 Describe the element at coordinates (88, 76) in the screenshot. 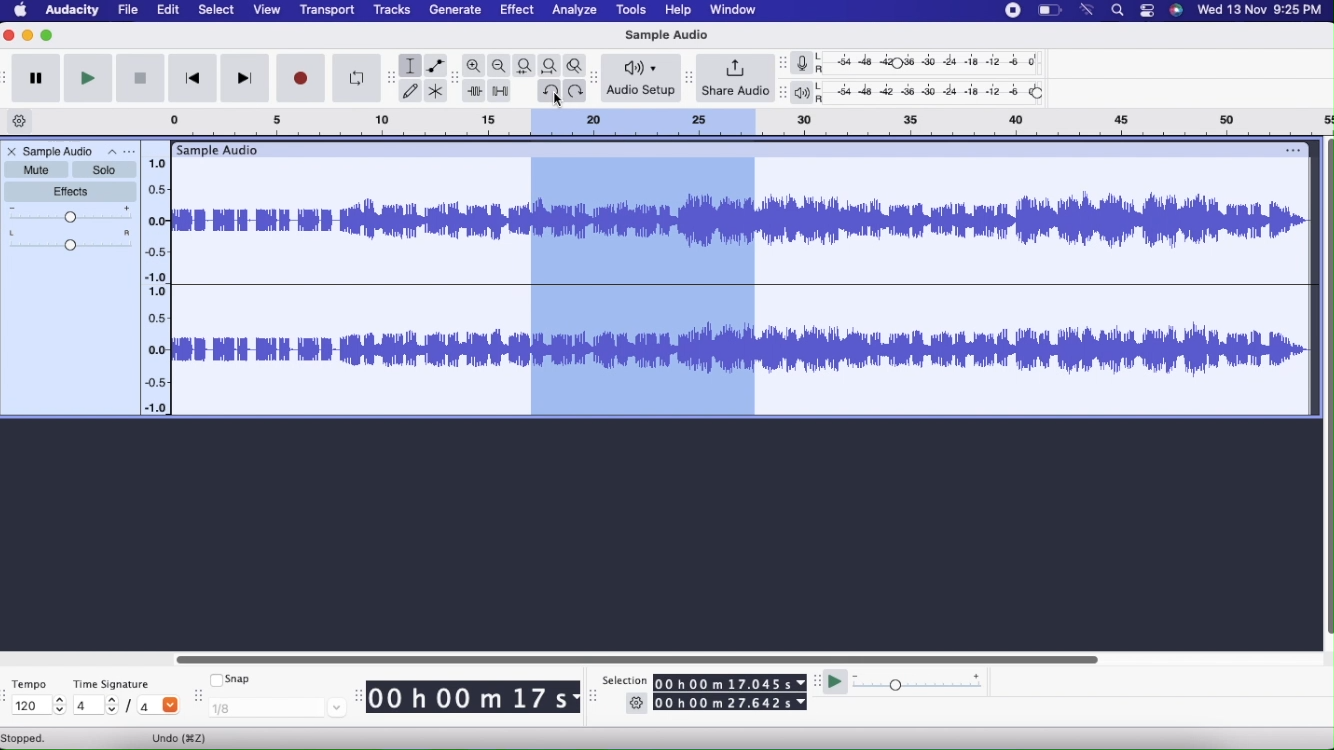

I see `Play` at that location.